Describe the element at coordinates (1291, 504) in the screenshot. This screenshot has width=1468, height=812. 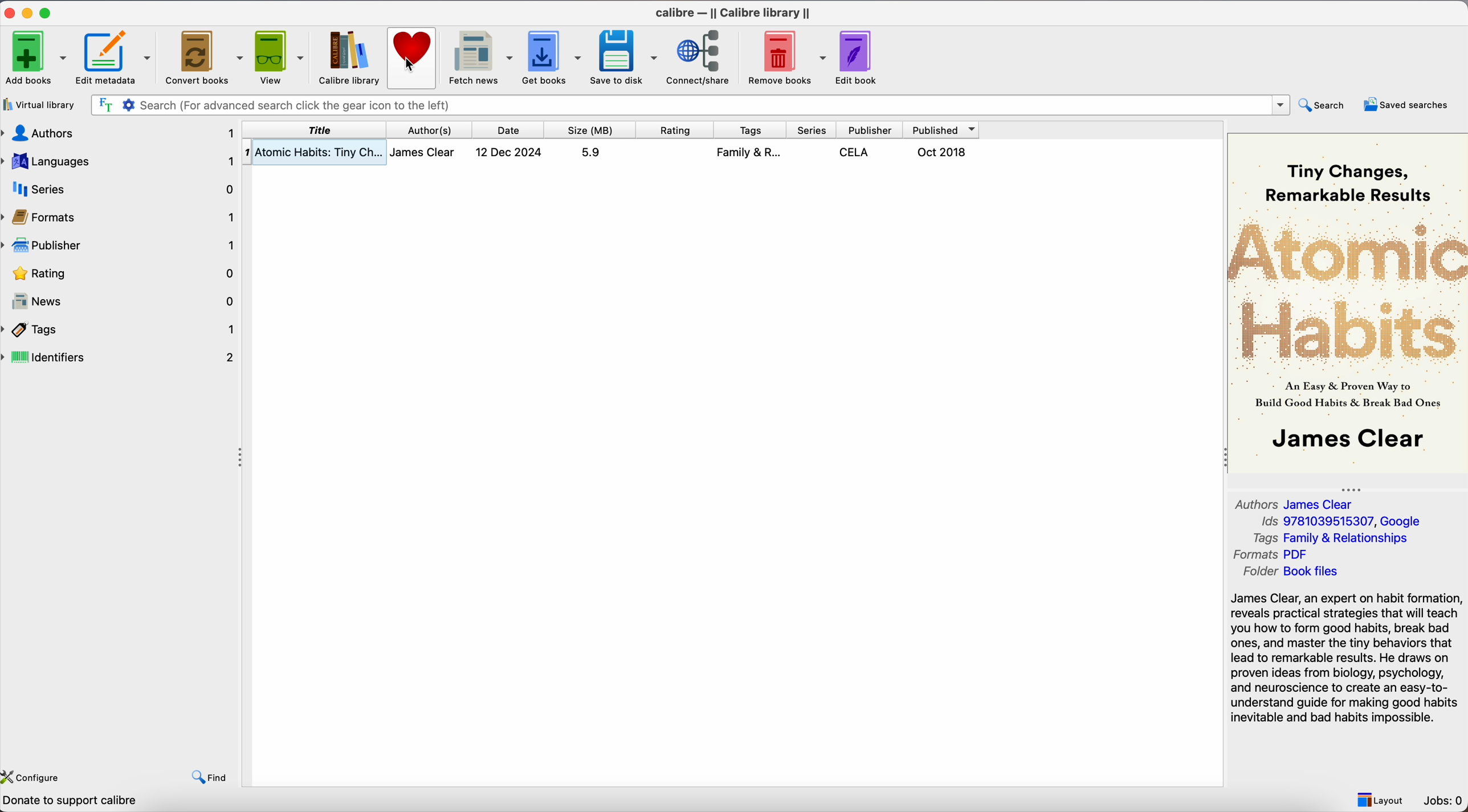
I see `authors James Clear` at that location.